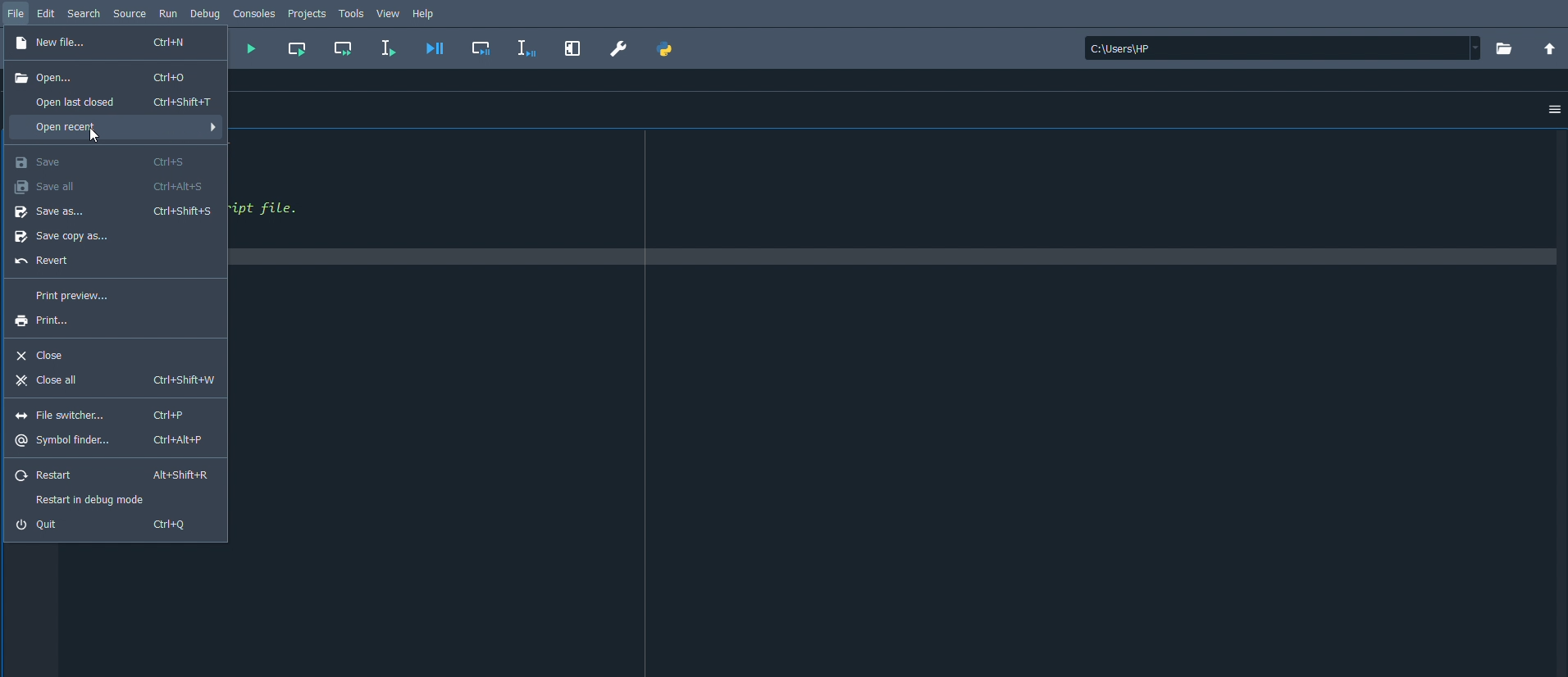 The height and width of the screenshot is (677, 1568). What do you see at coordinates (250, 50) in the screenshot?
I see `Run file` at bounding box center [250, 50].